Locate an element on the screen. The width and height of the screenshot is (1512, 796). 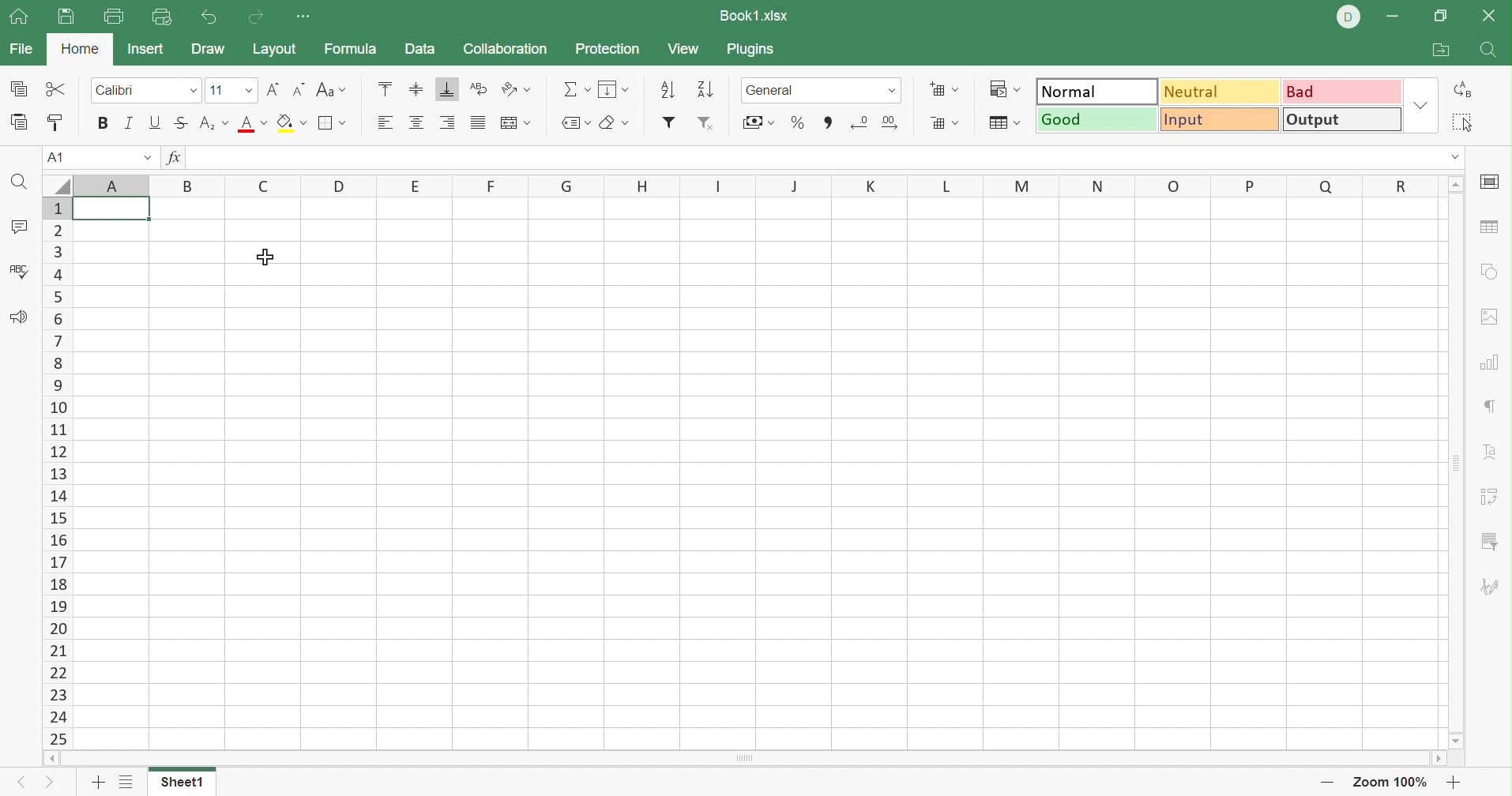
Copy style is located at coordinates (57, 122).